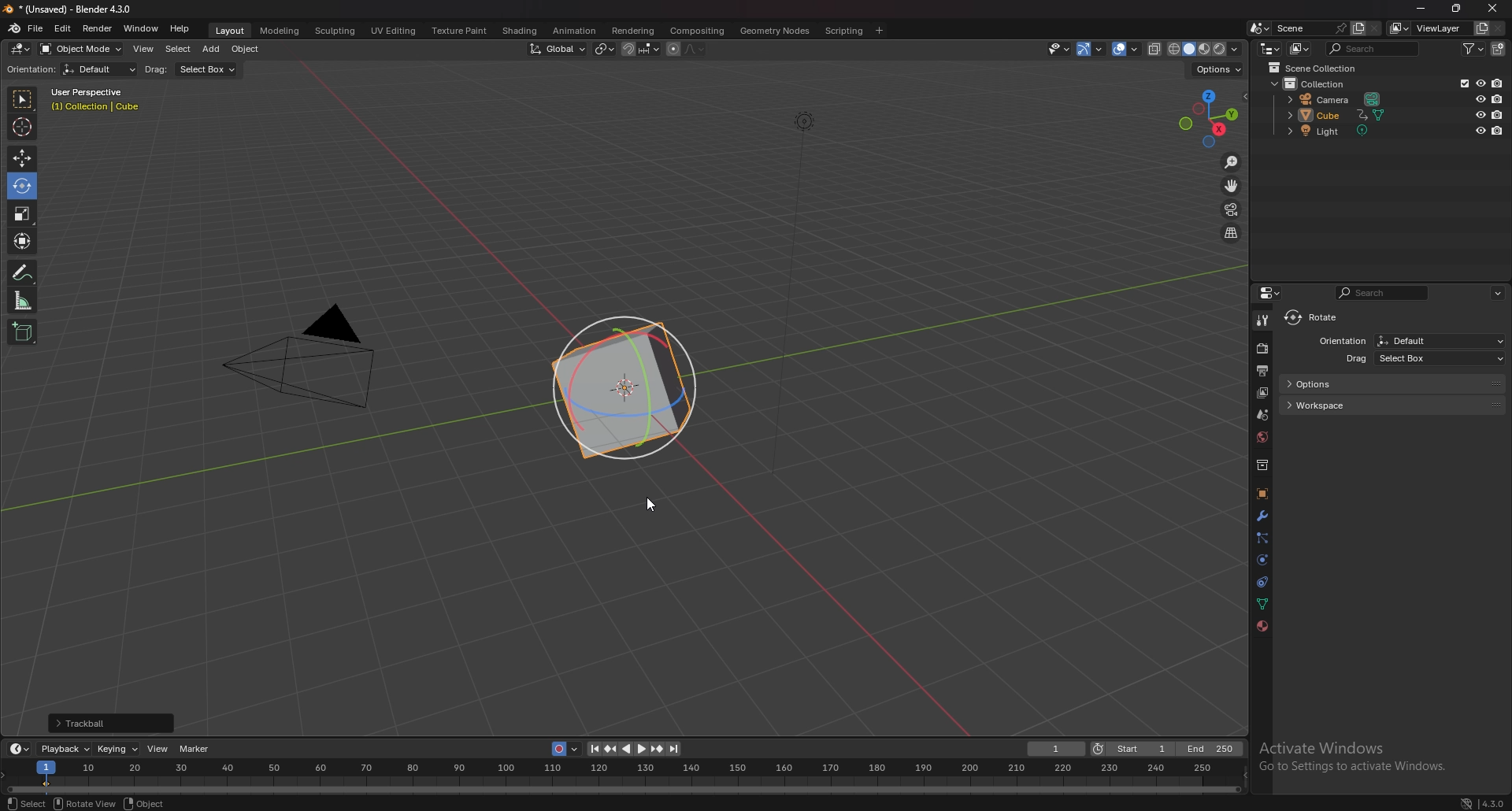 Image resolution: width=1512 pixels, height=811 pixels. I want to click on scene, so click(1311, 28).